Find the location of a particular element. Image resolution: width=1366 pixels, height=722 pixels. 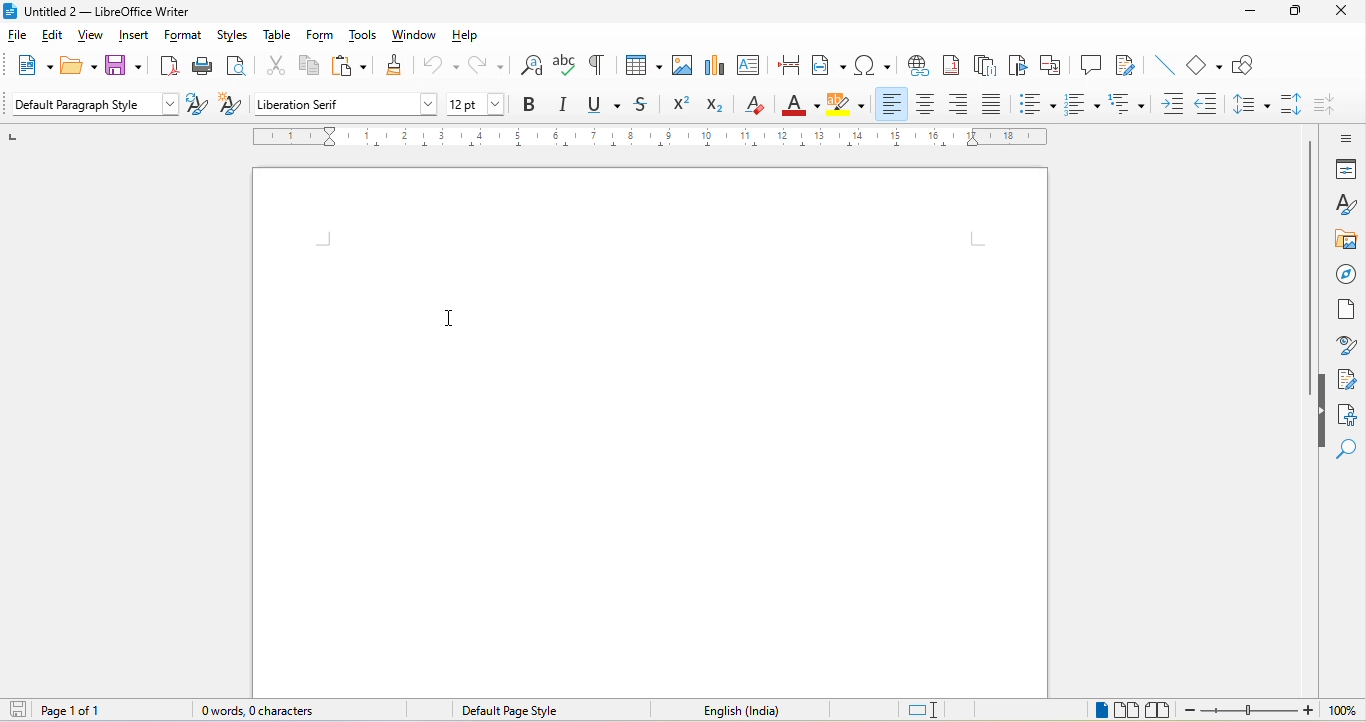

single page view is located at coordinates (1096, 710).